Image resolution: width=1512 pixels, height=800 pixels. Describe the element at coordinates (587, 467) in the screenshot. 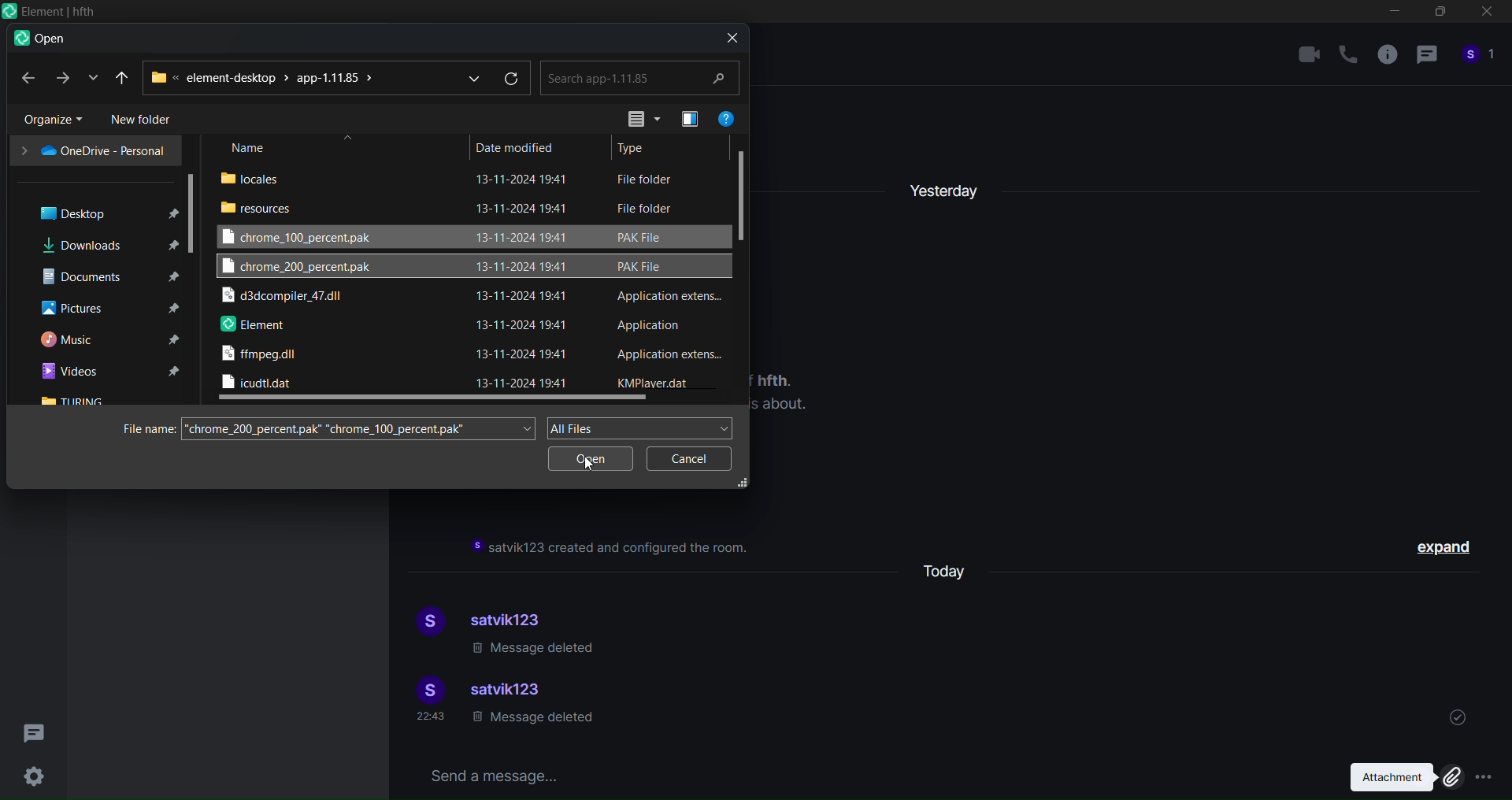

I see `Cursor` at that location.